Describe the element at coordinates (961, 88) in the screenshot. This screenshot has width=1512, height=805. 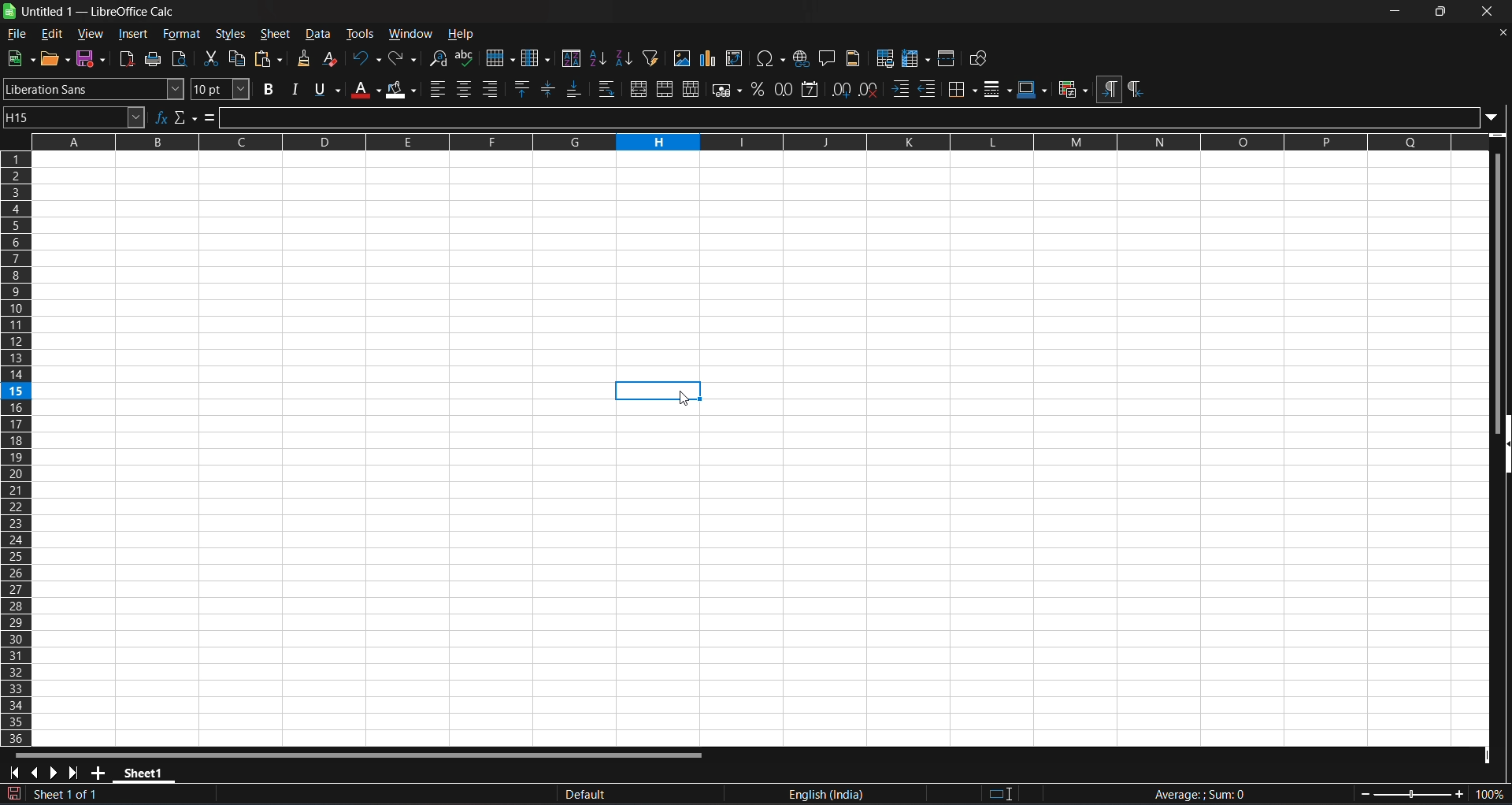
I see `border` at that location.